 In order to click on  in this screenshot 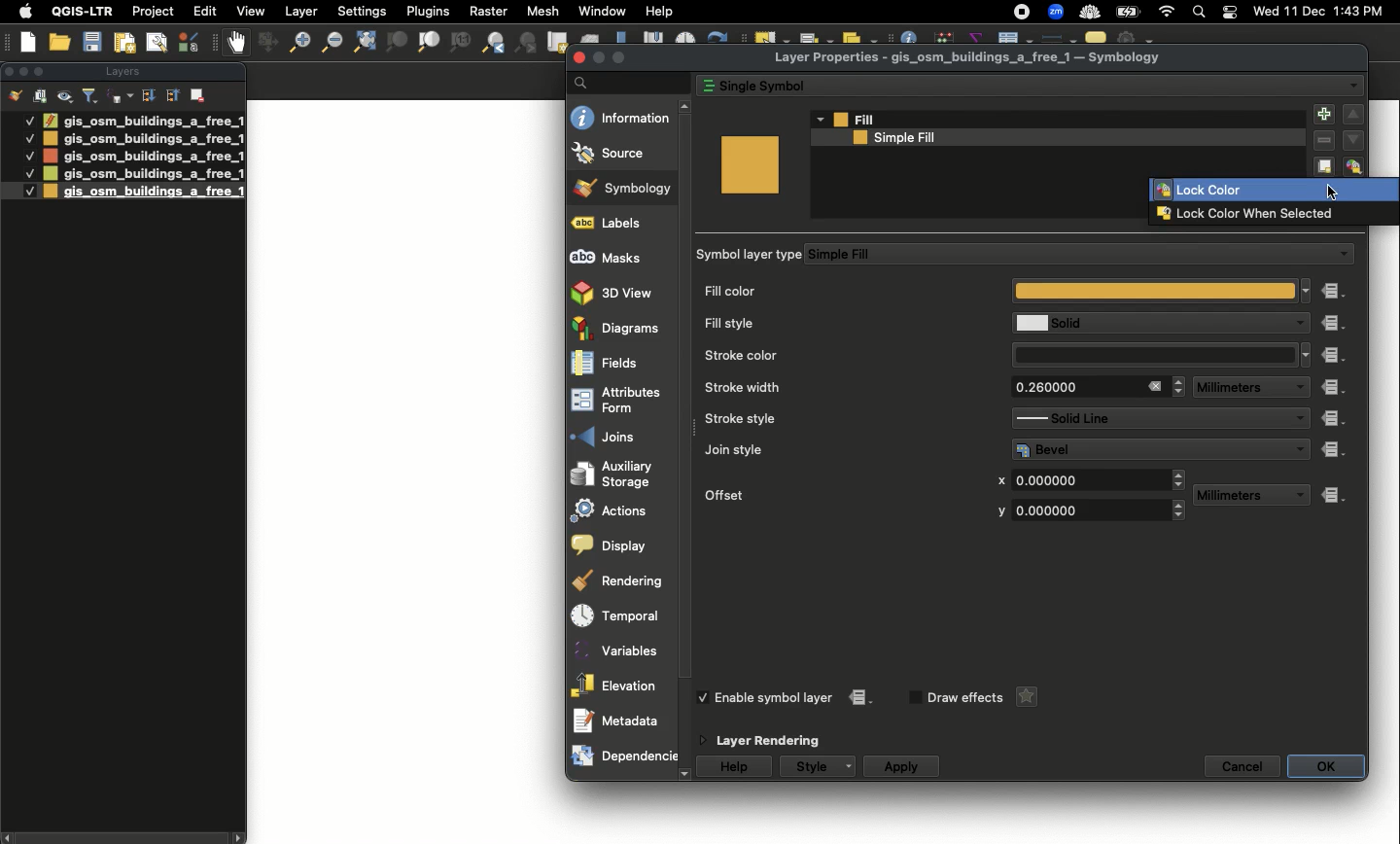, I will do `click(1334, 355)`.